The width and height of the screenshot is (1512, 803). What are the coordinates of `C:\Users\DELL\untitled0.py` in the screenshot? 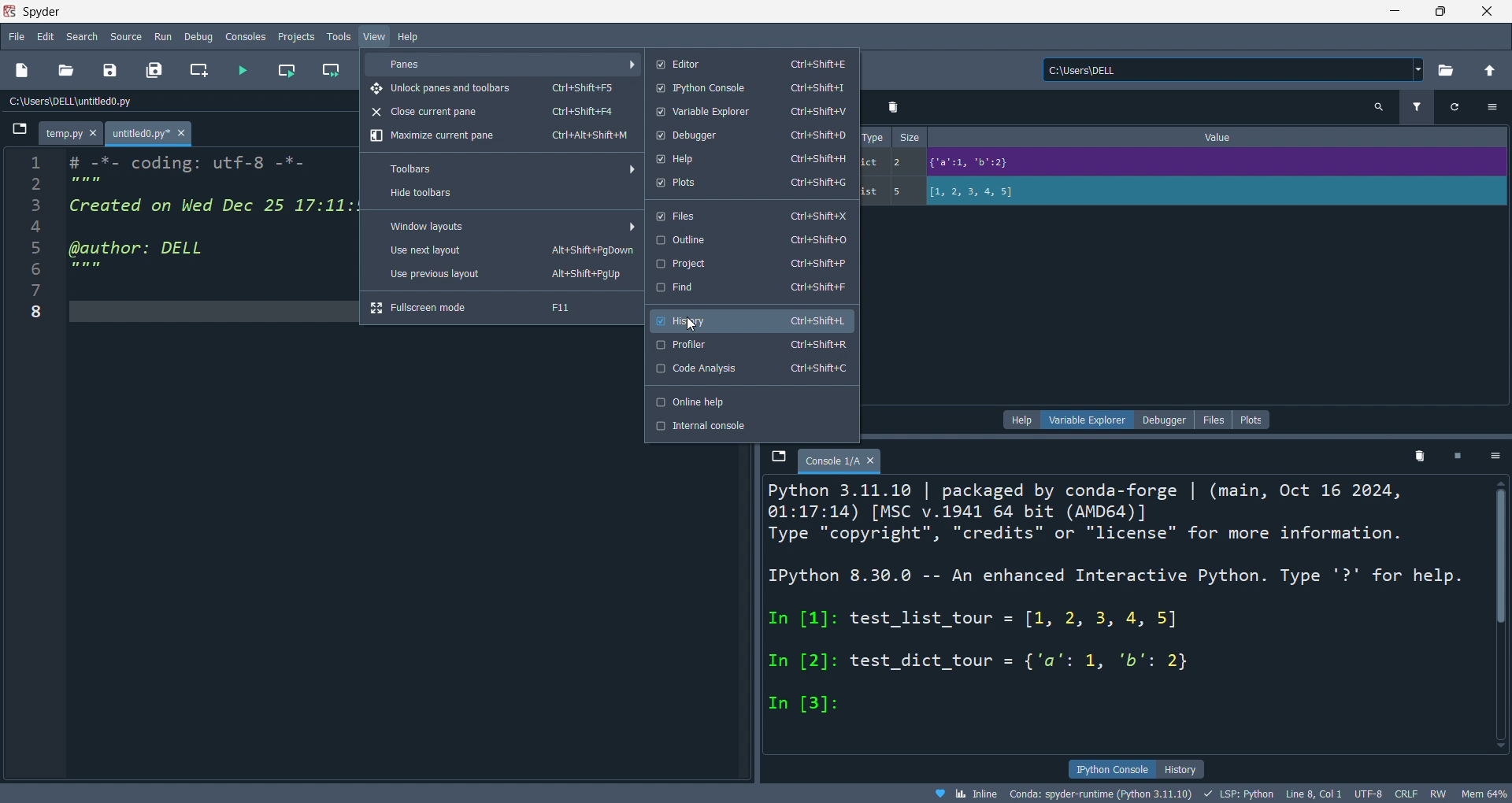 It's located at (91, 102).